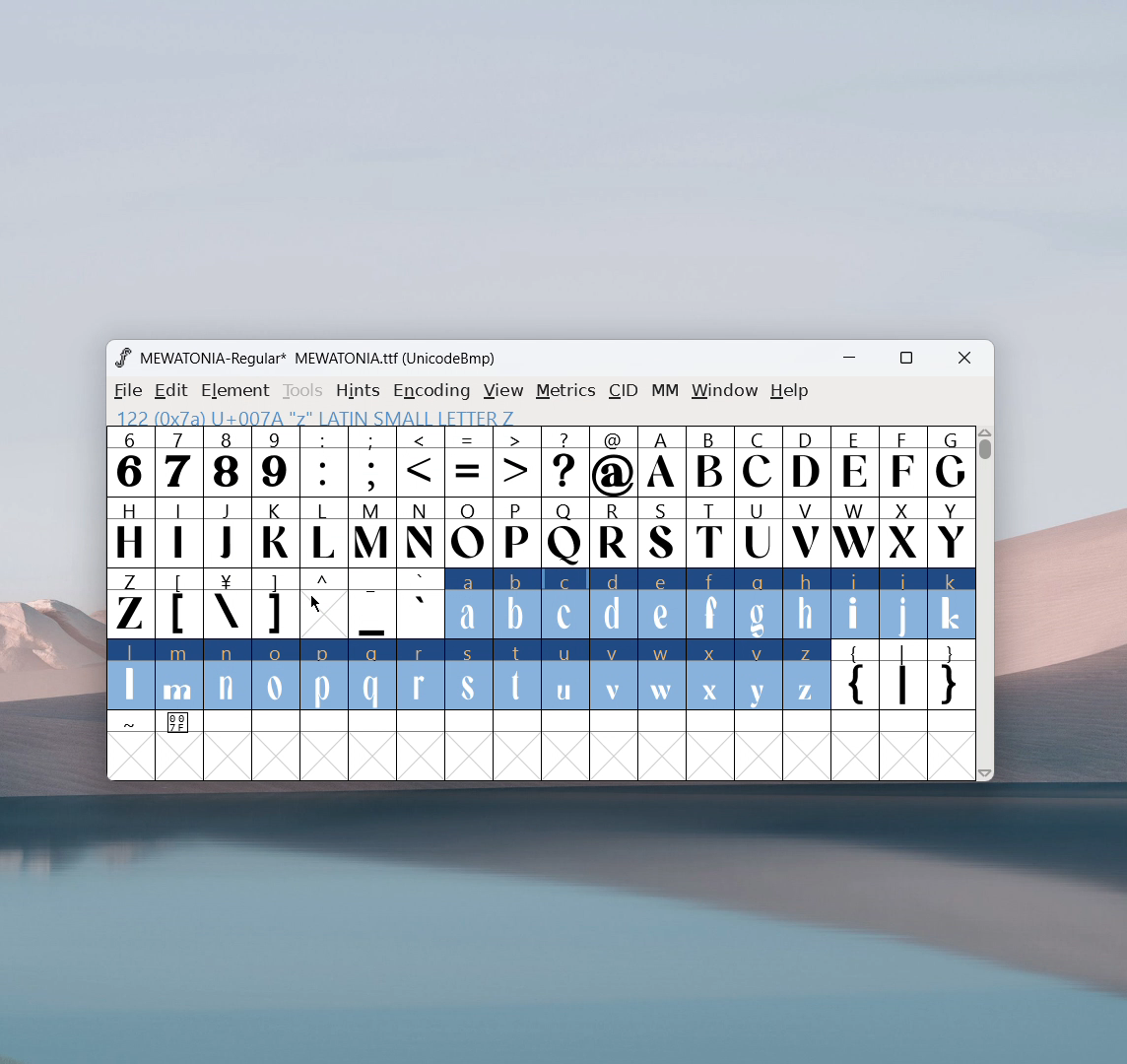  What do you see at coordinates (420, 604) in the screenshot?
I see ``` at bounding box center [420, 604].